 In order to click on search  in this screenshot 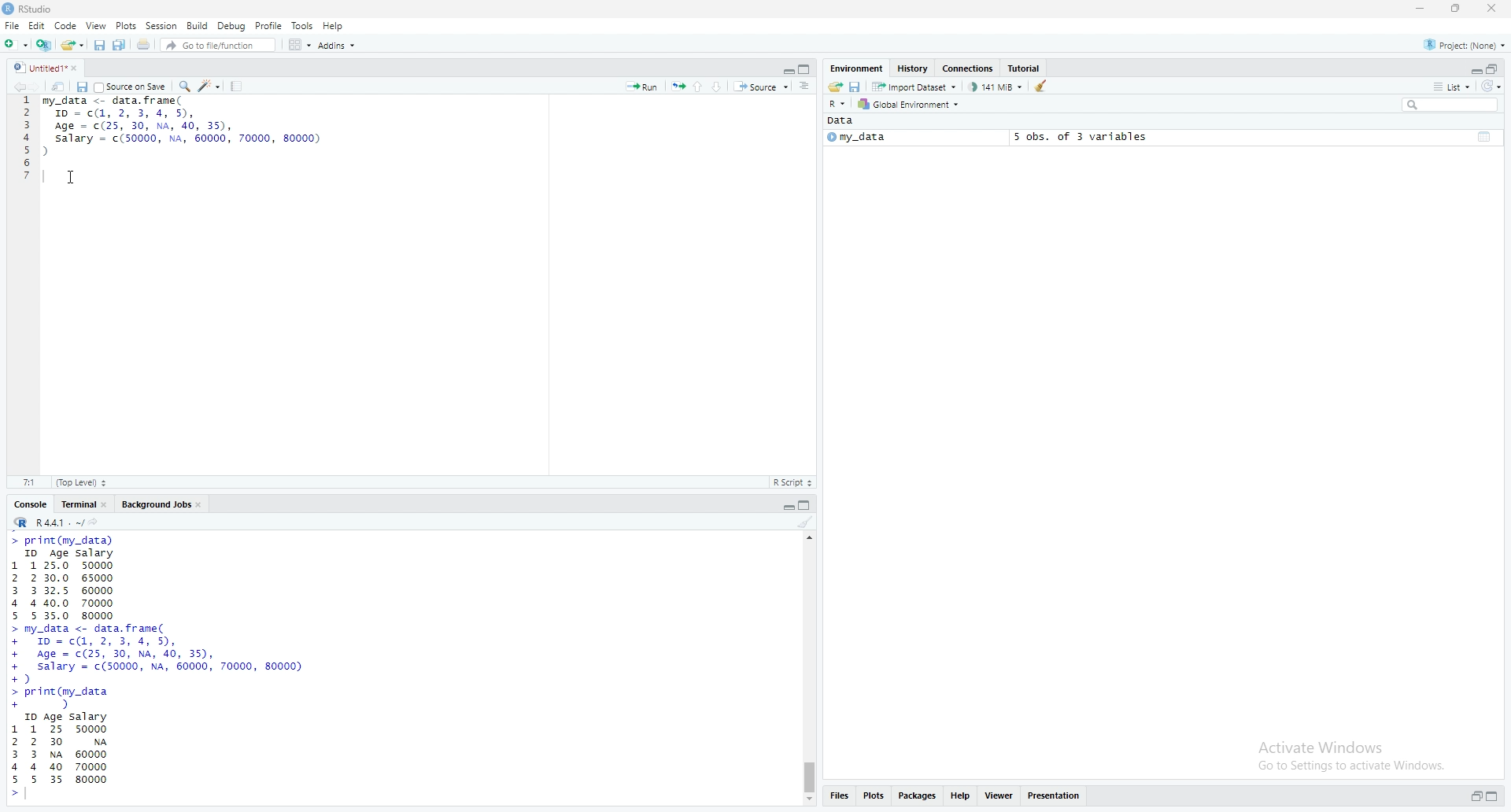, I will do `click(1451, 106)`.